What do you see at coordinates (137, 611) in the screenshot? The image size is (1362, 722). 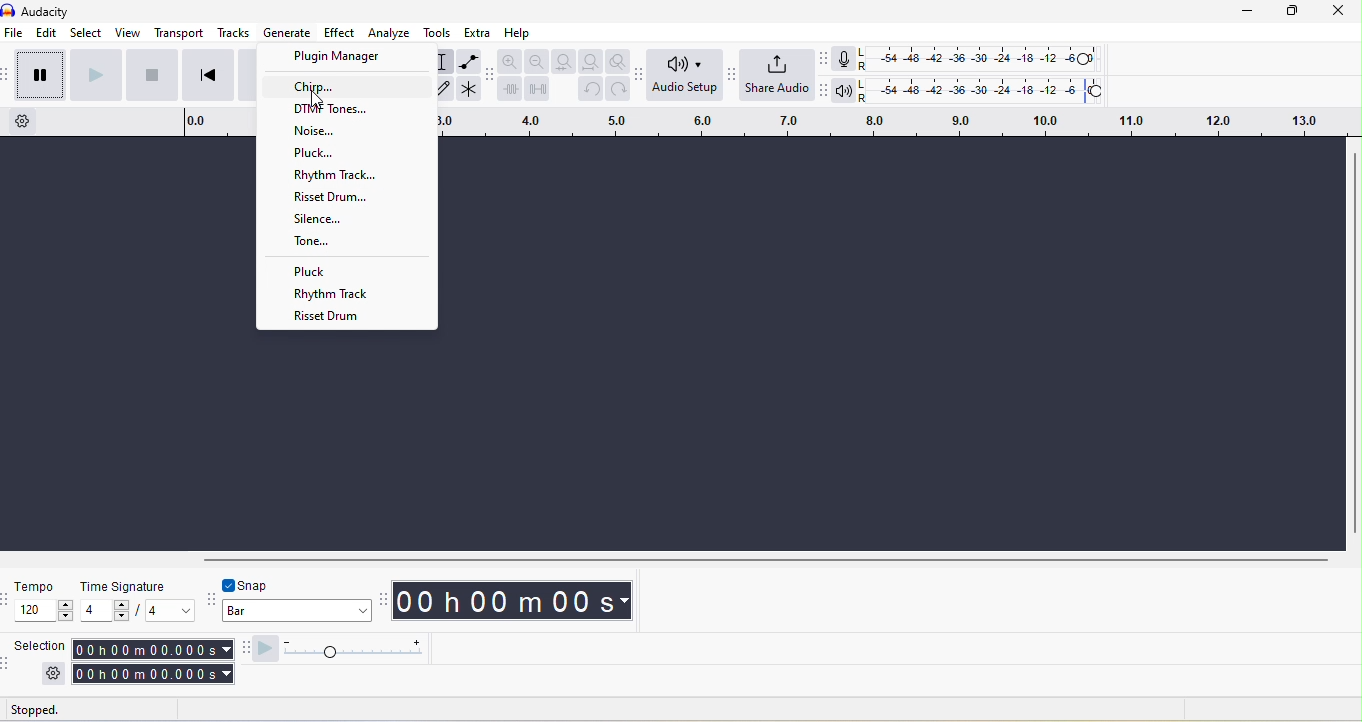 I see `4/4` at bounding box center [137, 611].